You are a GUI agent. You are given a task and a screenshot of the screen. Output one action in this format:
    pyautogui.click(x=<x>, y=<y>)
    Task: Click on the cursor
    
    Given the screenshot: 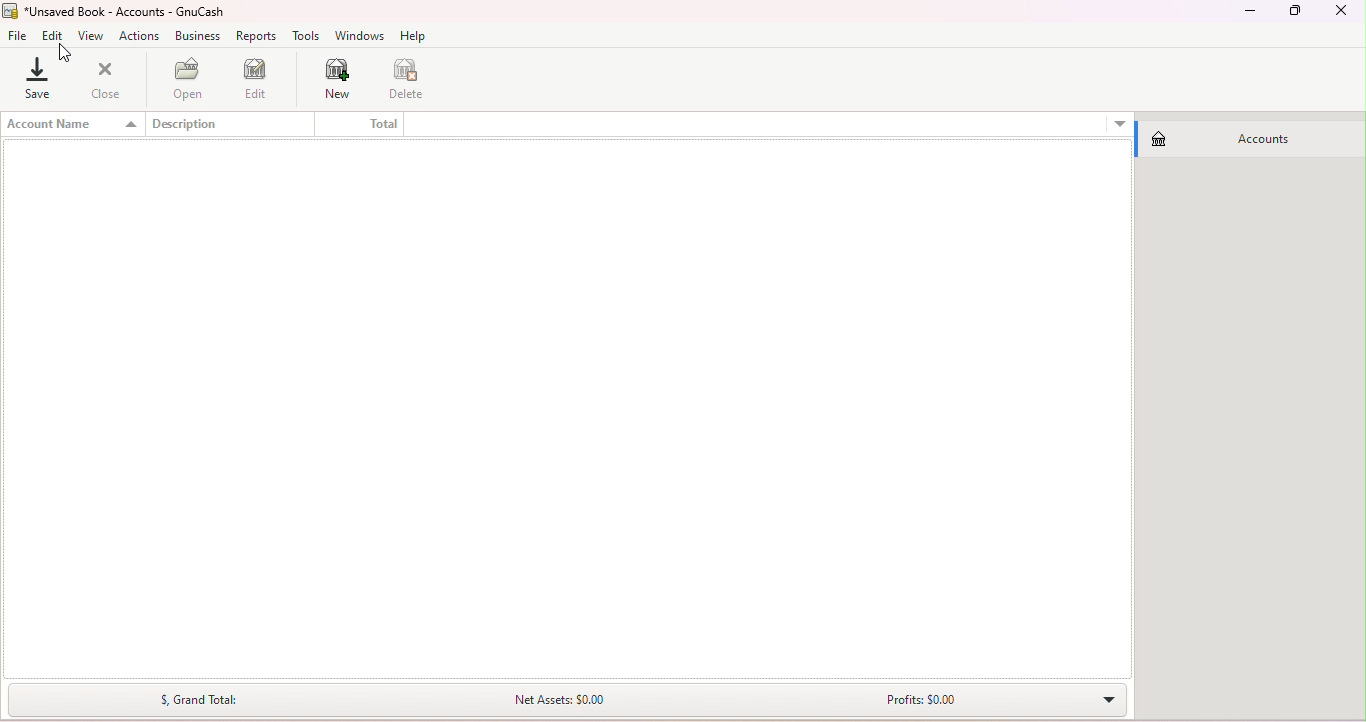 What is the action you would take?
    pyautogui.click(x=62, y=54)
    